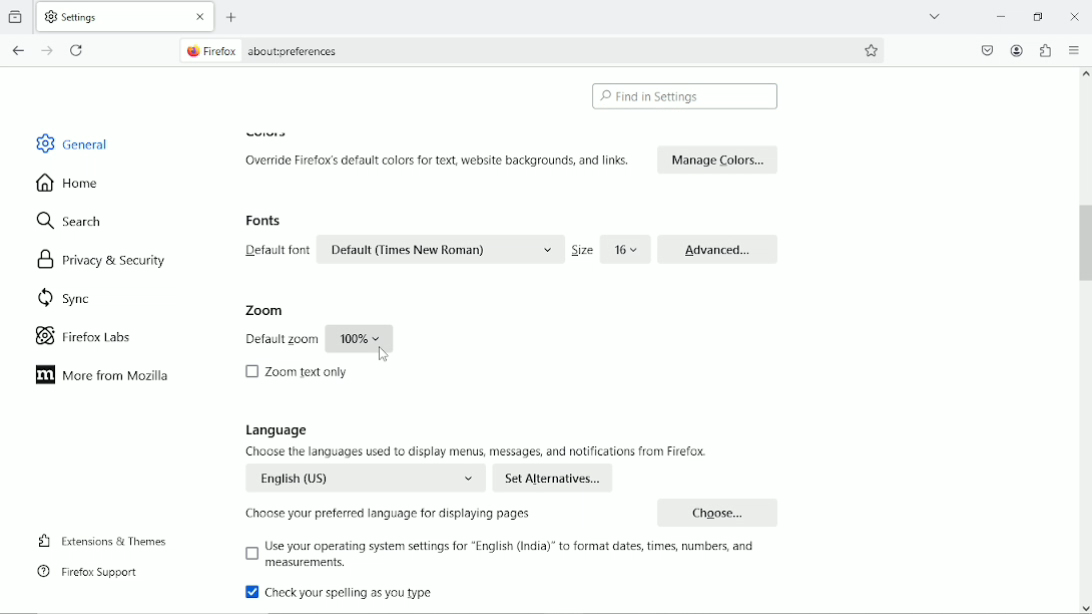  Describe the element at coordinates (70, 182) in the screenshot. I see `Home` at that location.